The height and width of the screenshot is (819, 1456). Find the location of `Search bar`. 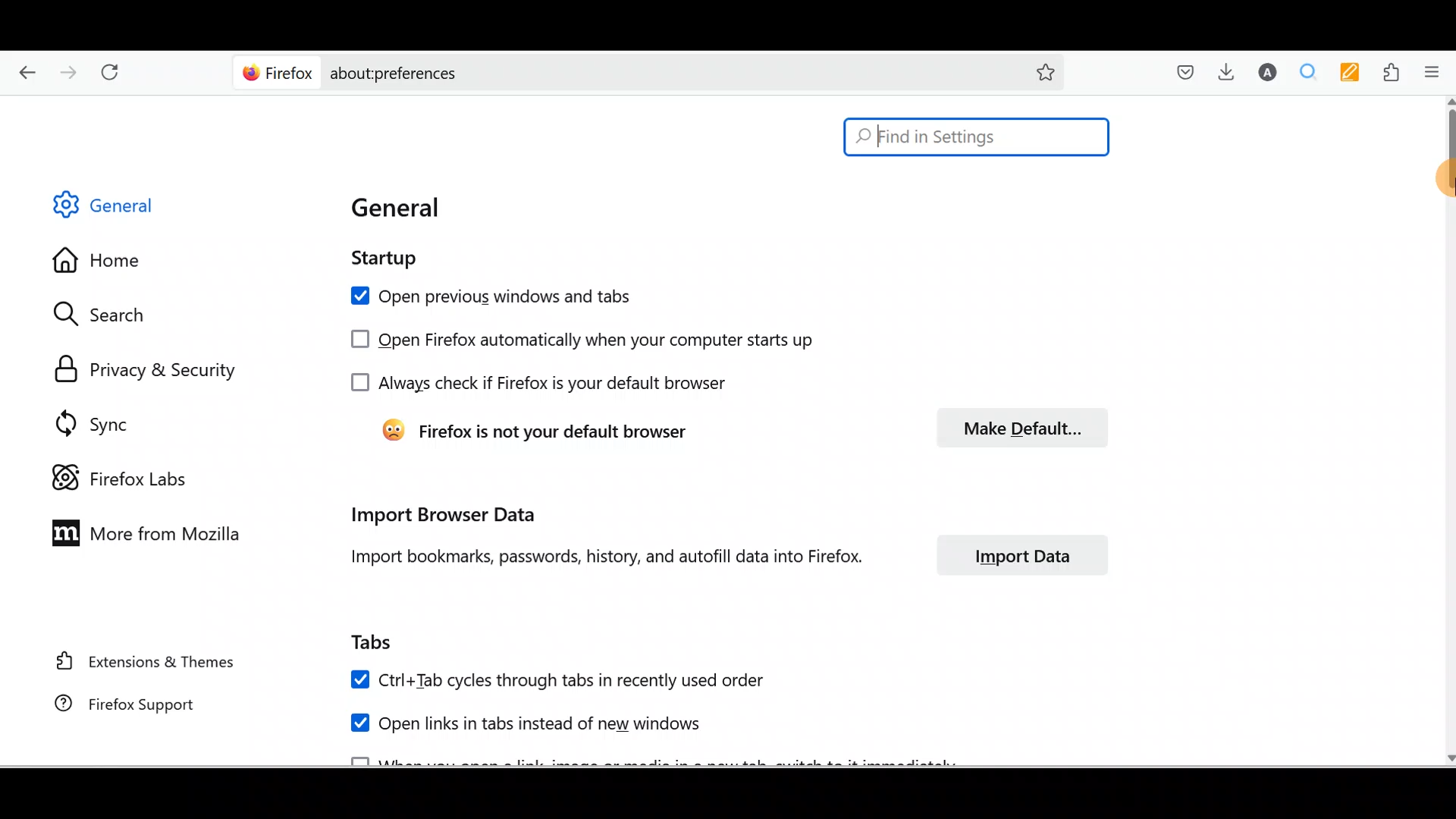

Search bar is located at coordinates (617, 73).